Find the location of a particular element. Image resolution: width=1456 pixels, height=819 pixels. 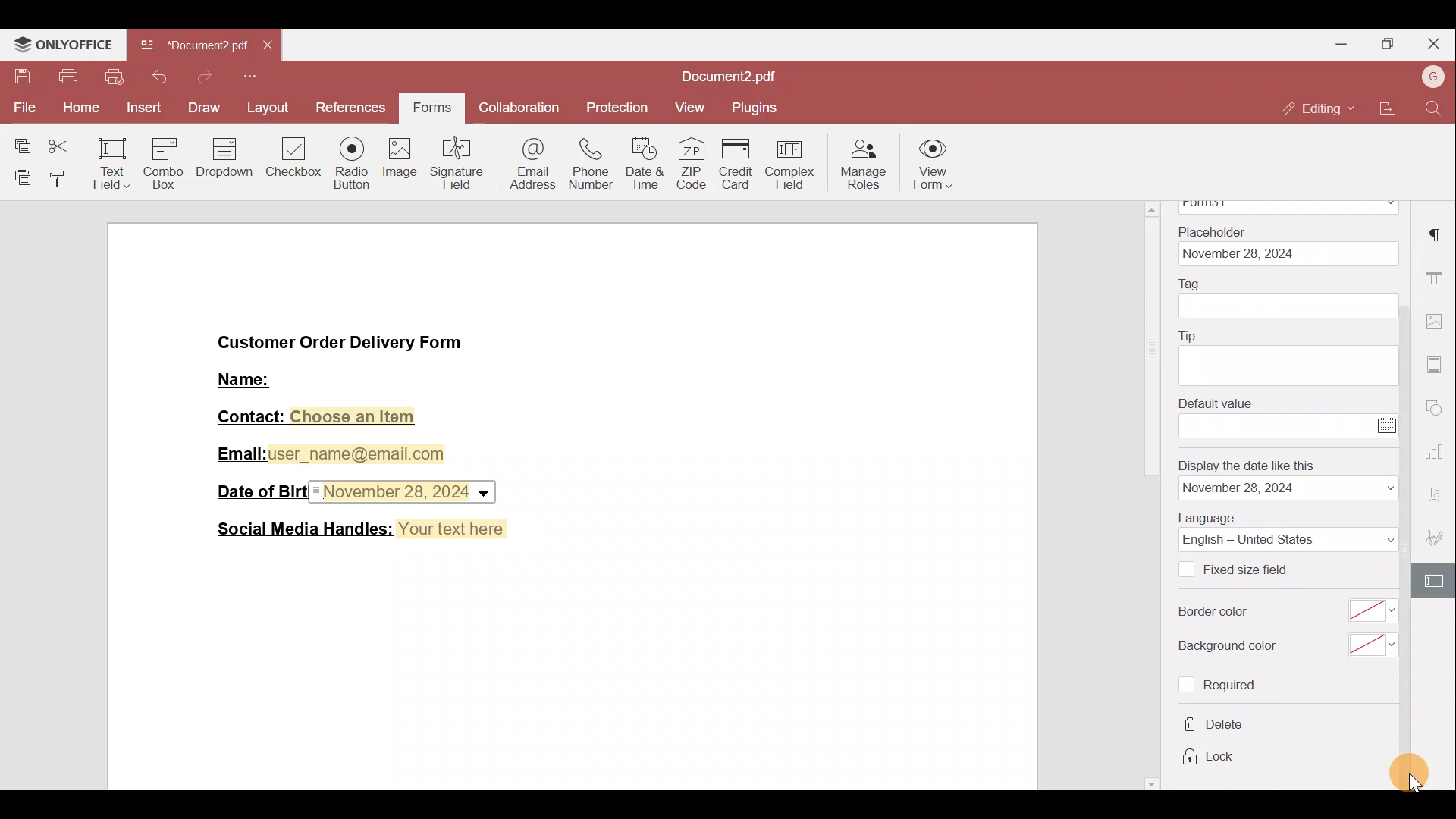

Close tab is located at coordinates (265, 46).